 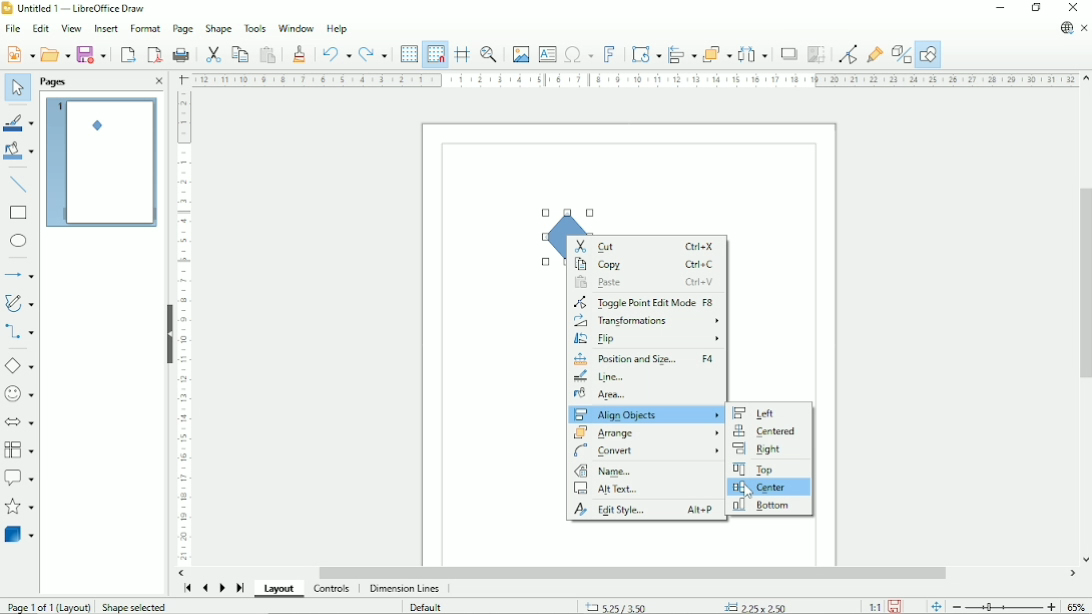 What do you see at coordinates (1085, 559) in the screenshot?
I see `Vertical scroll button` at bounding box center [1085, 559].